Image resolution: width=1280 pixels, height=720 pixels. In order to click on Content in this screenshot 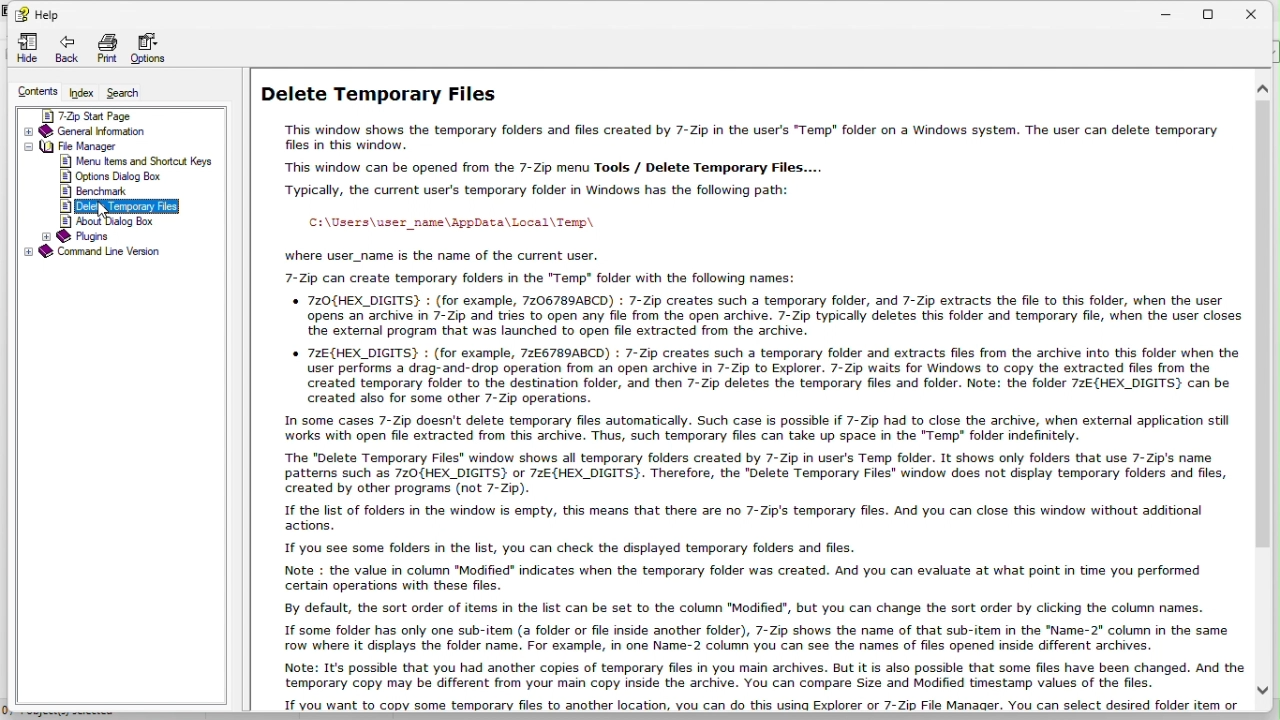, I will do `click(31, 93)`.